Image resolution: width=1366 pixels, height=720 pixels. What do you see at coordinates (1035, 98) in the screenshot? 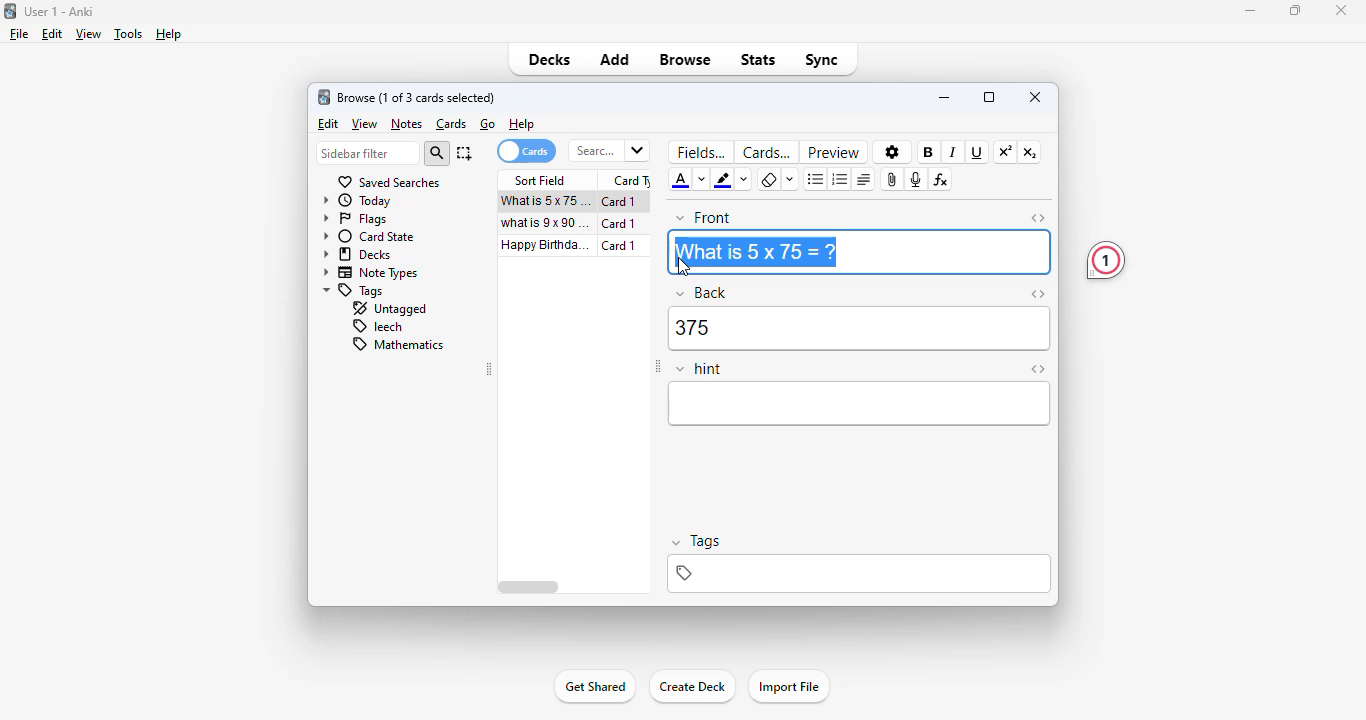
I see `close` at bounding box center [1035, 98].